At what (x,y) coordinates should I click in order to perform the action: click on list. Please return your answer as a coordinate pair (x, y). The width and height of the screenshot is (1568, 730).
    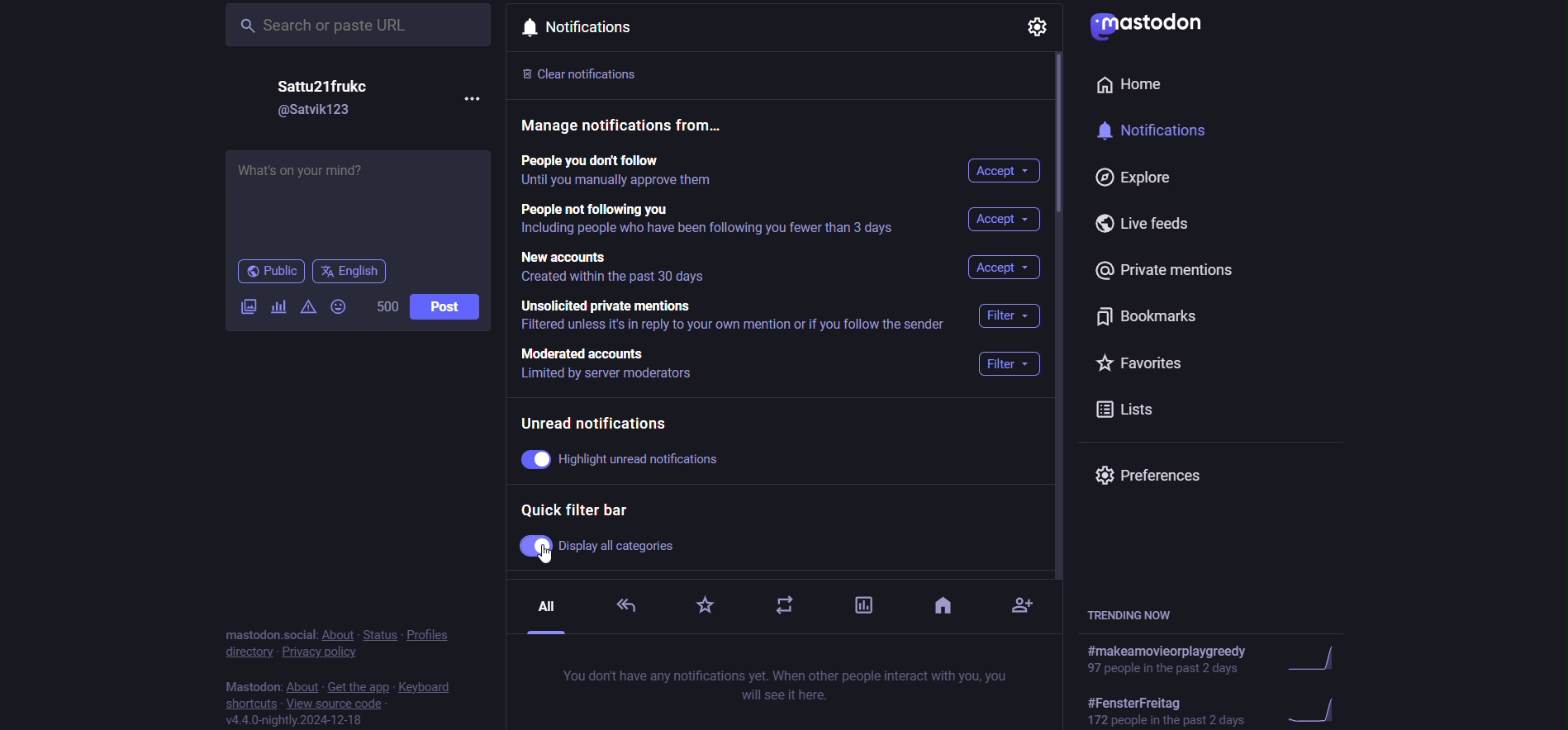
    Looking at the image, I should click on (1122, 411).